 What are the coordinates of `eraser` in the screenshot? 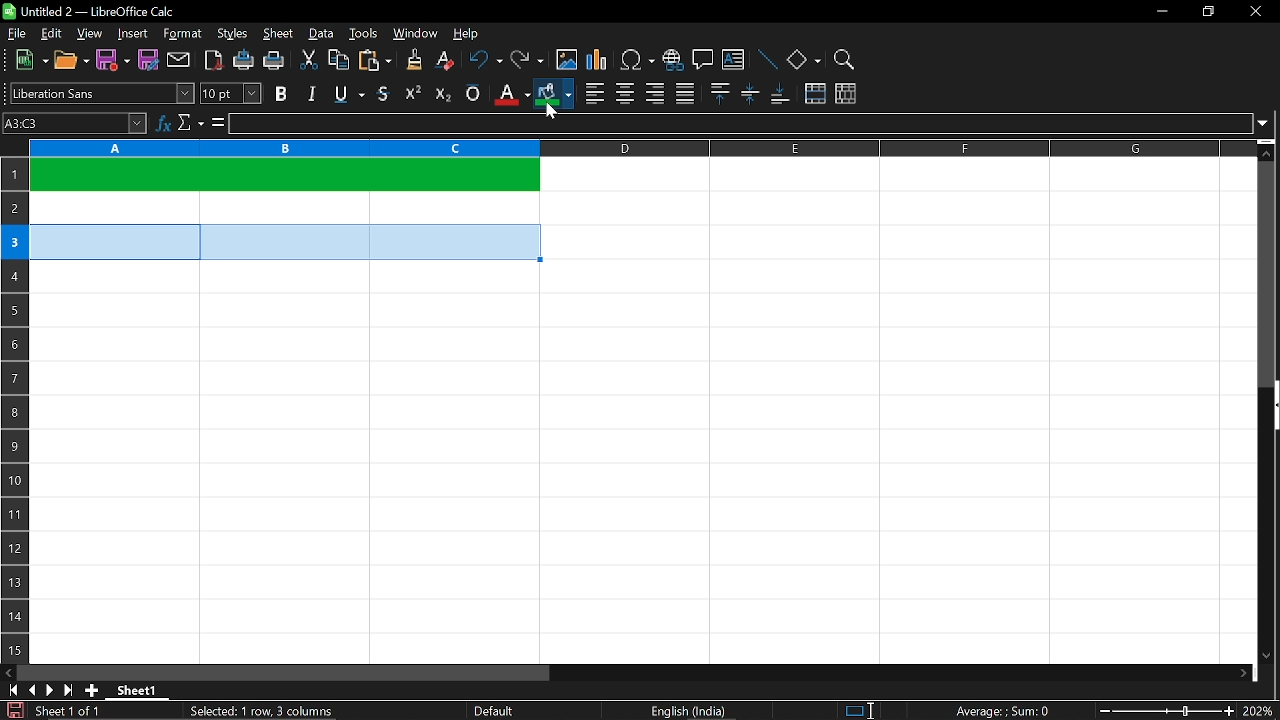 It's located at (442, 61).